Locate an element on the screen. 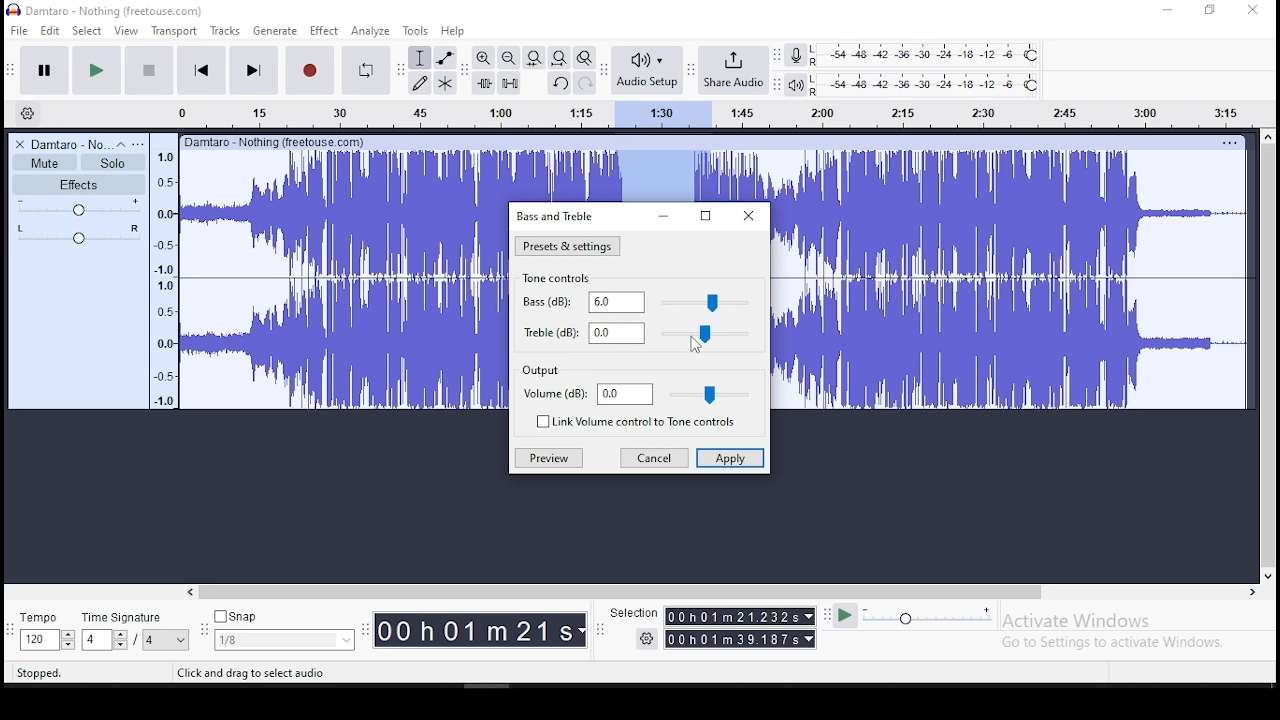 Image resolution: width=1280 pixels, height=720 pixels. stop is located at coordinates (148, 69).